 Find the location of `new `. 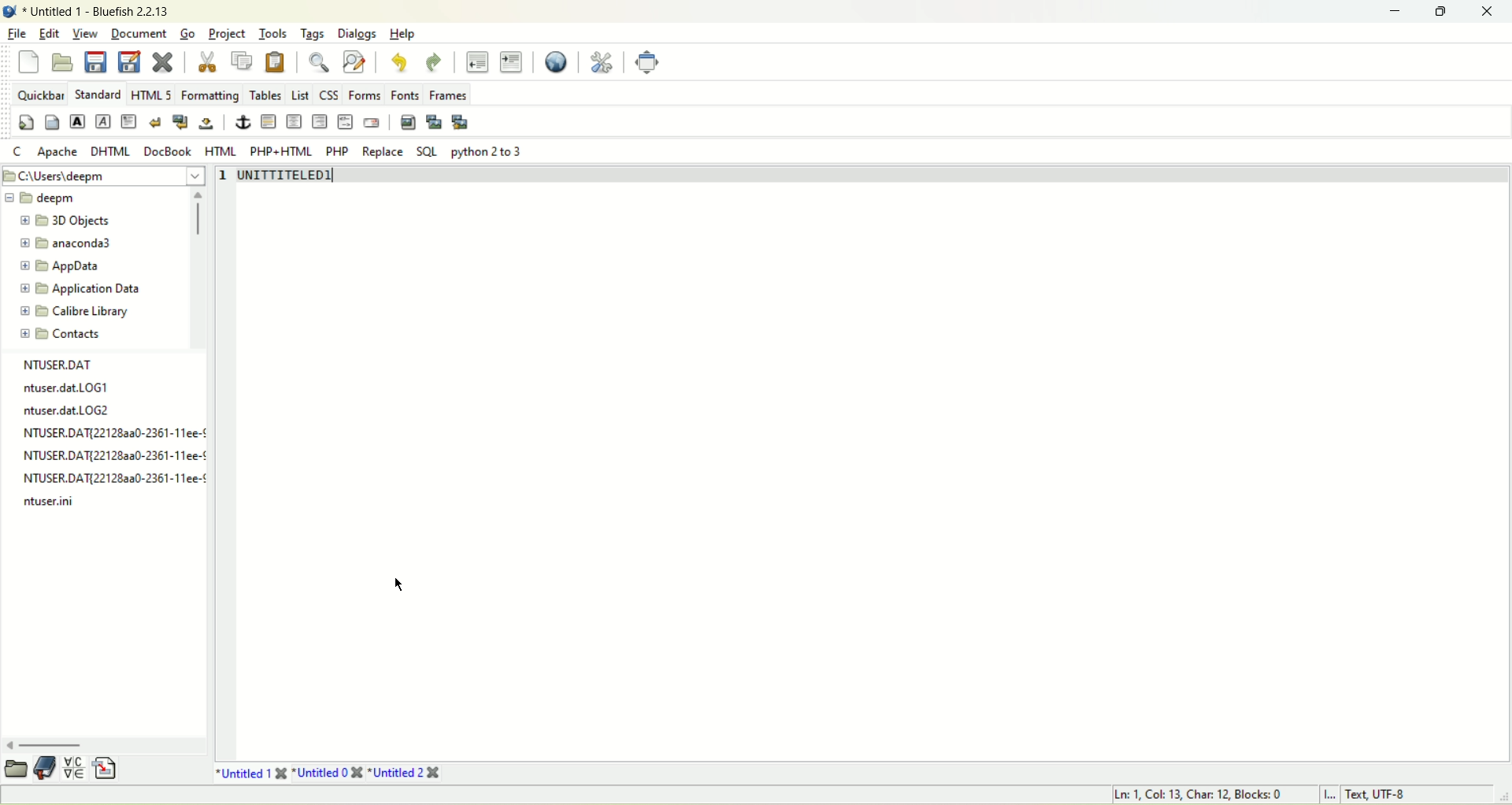

new  is located at coordinates (28, 61).